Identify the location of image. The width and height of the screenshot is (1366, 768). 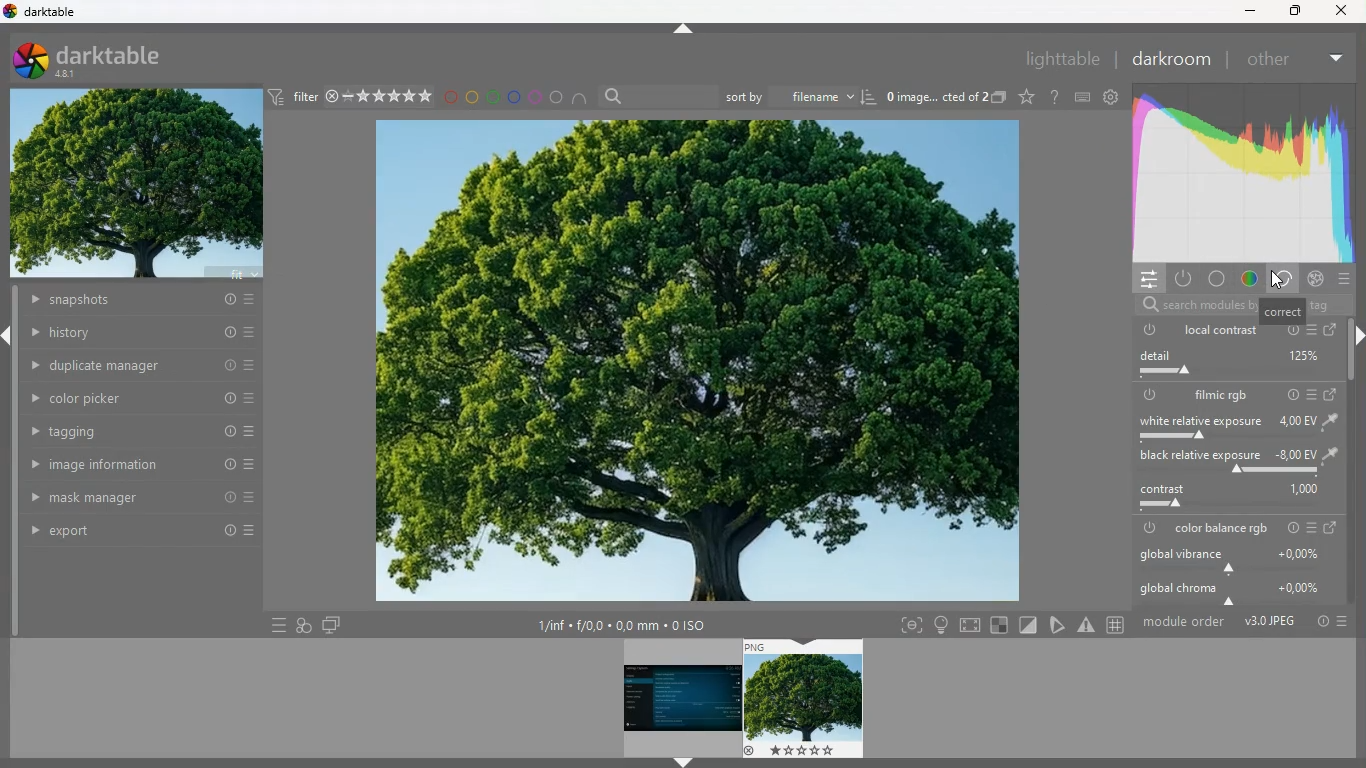
(804, 699).